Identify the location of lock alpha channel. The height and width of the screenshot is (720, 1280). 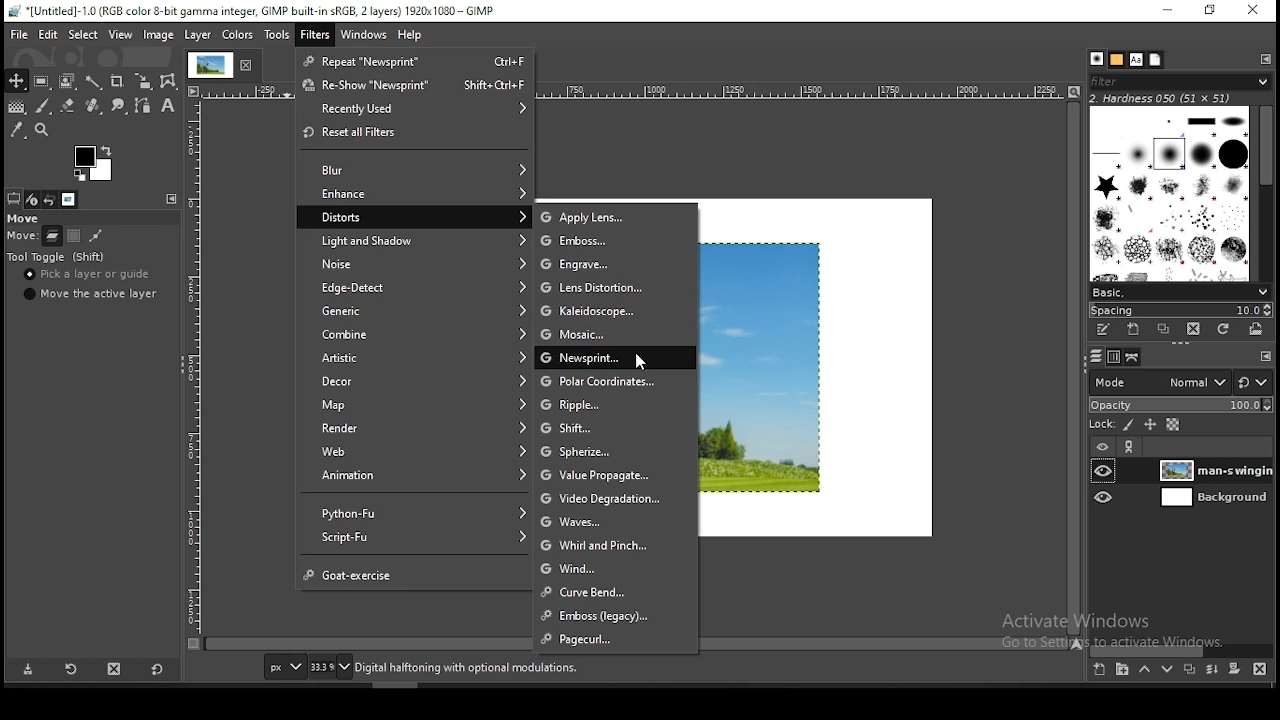
(1171, 425).